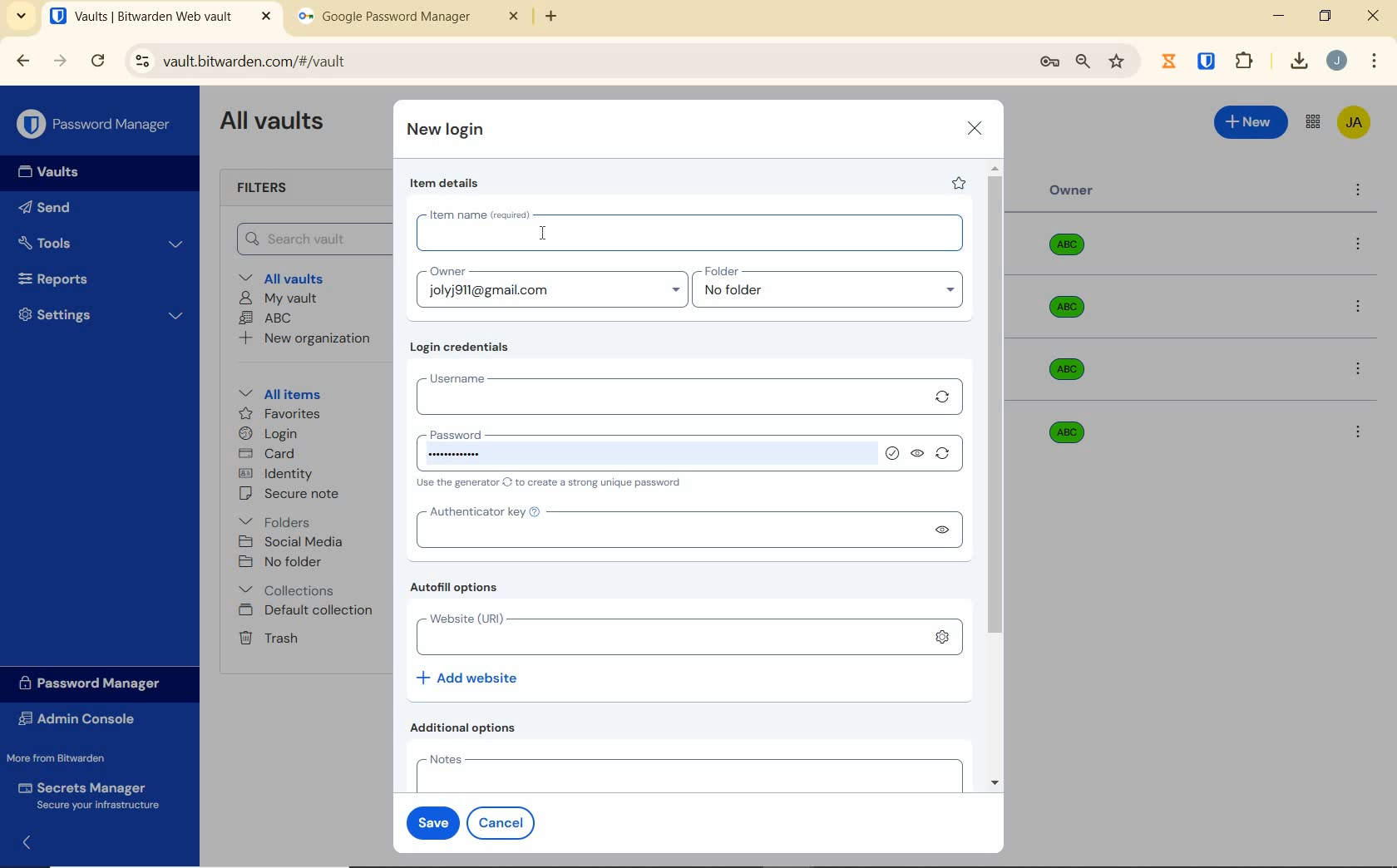  I want to click on owner, so click(550, 287).